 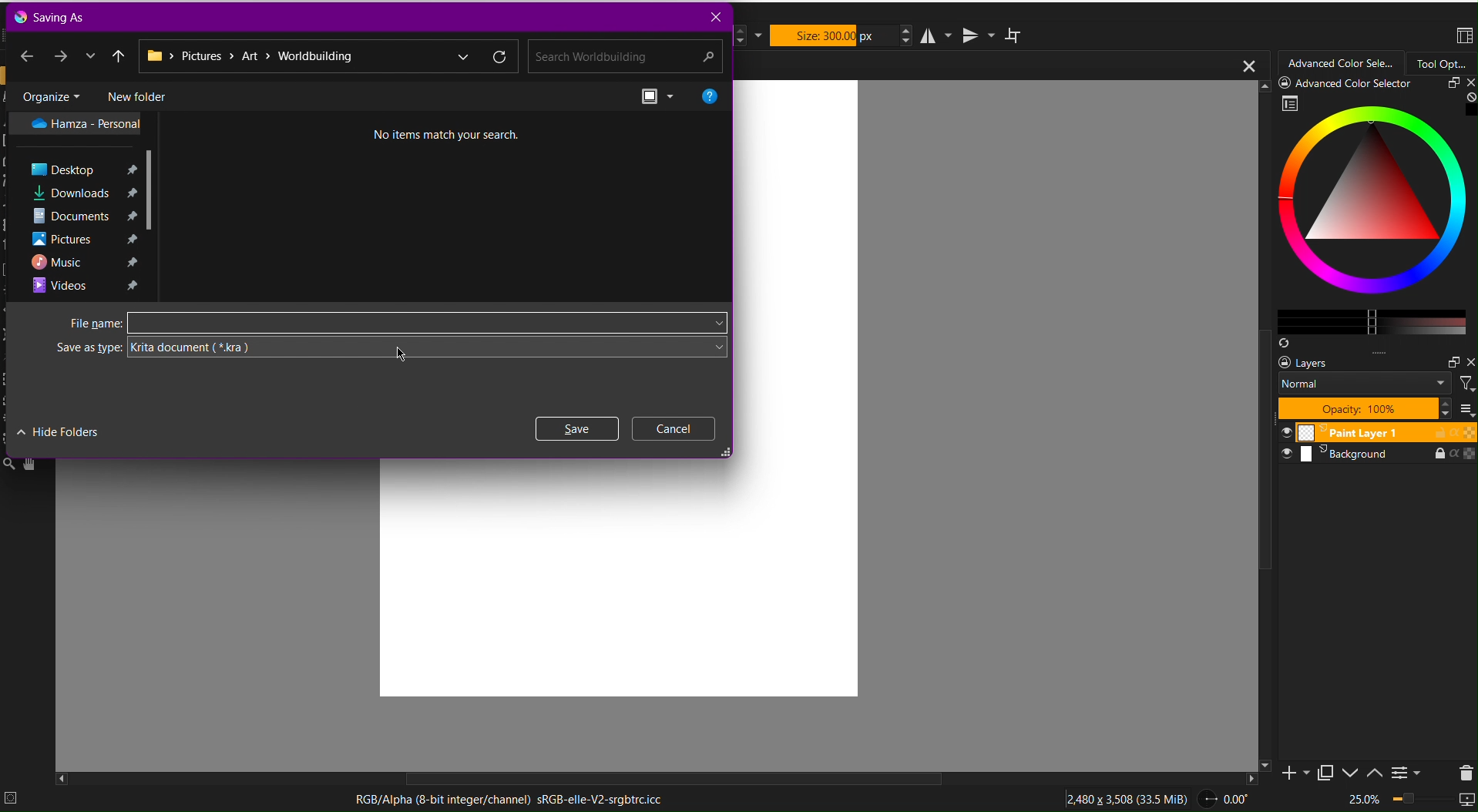 I want to click on Back, so click(x=27, y=54).